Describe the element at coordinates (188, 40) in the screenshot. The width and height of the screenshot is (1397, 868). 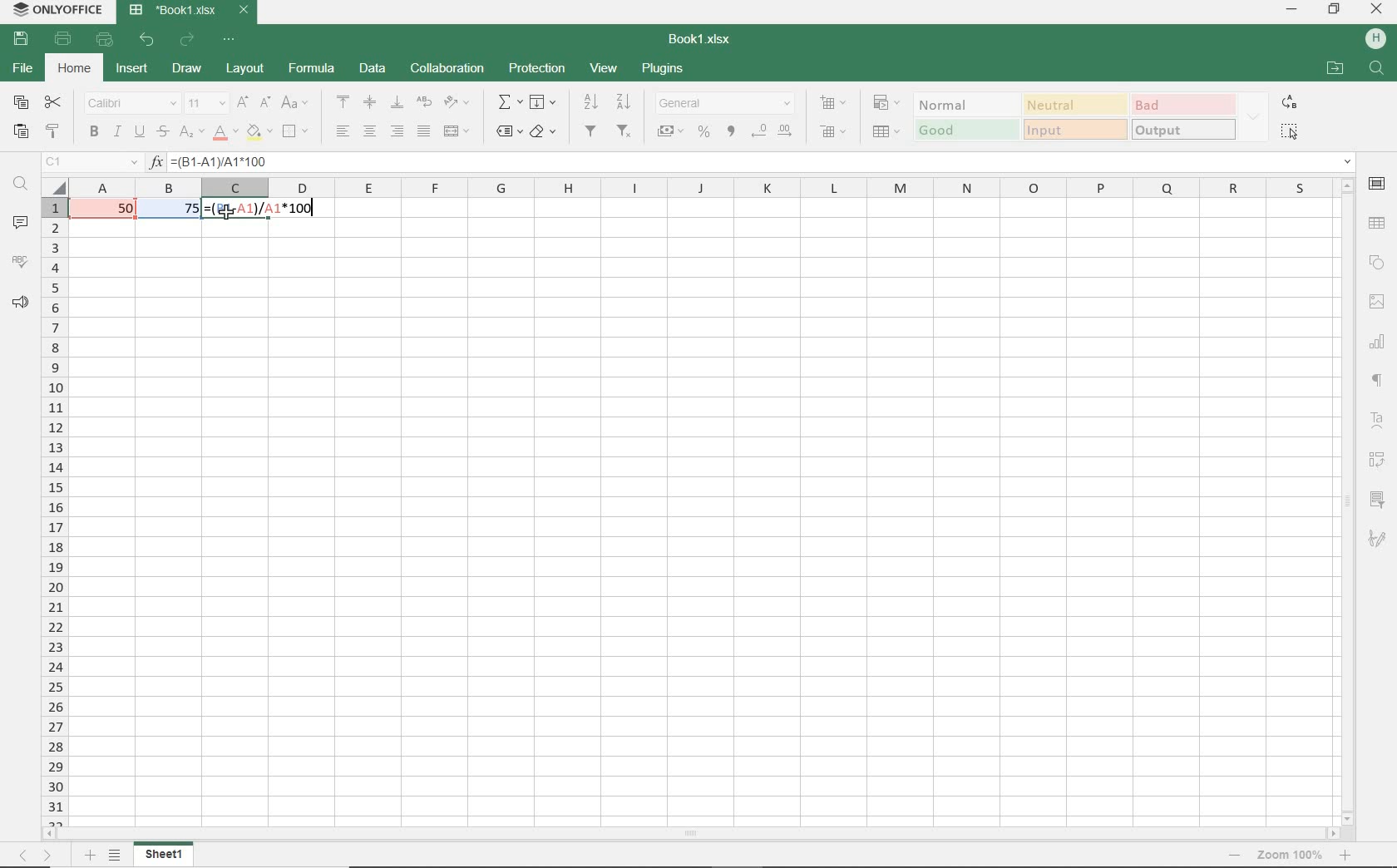
I see `redo` at that location.